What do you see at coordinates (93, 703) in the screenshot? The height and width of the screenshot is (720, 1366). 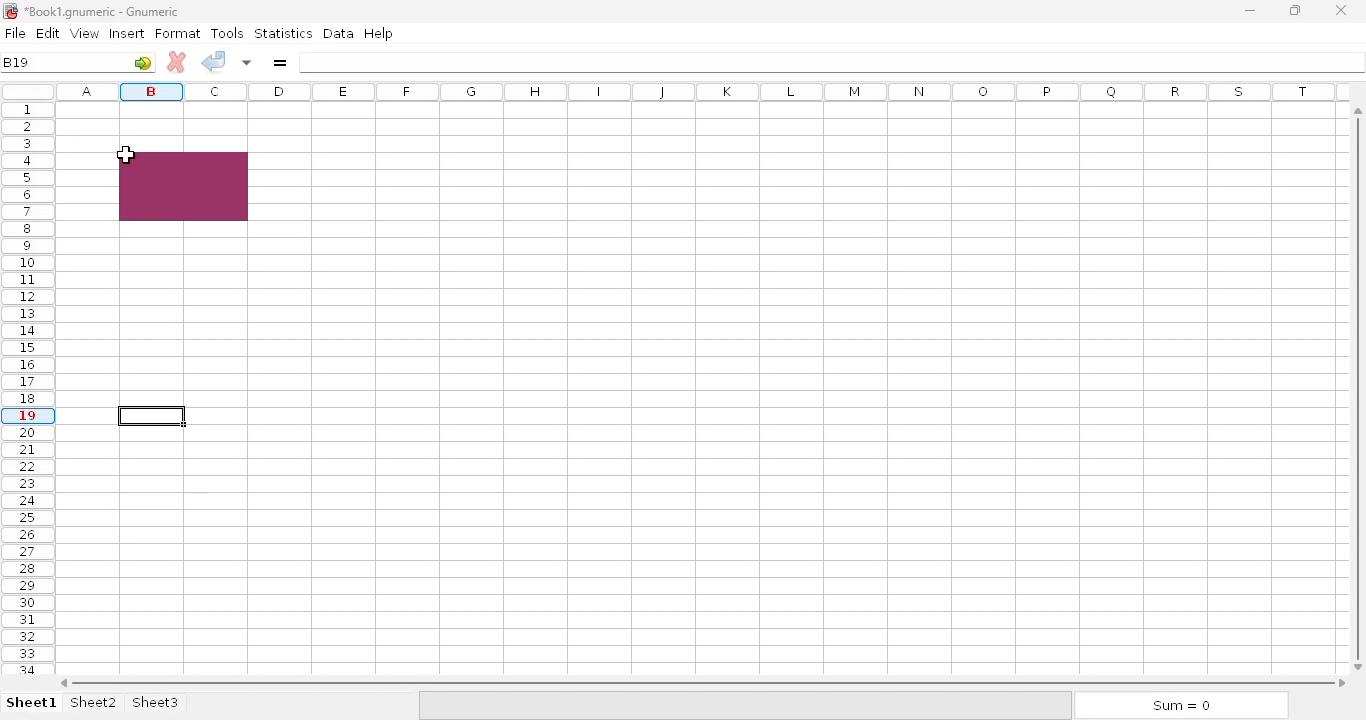 I see `sheet2` at bounding box center [93, 703].